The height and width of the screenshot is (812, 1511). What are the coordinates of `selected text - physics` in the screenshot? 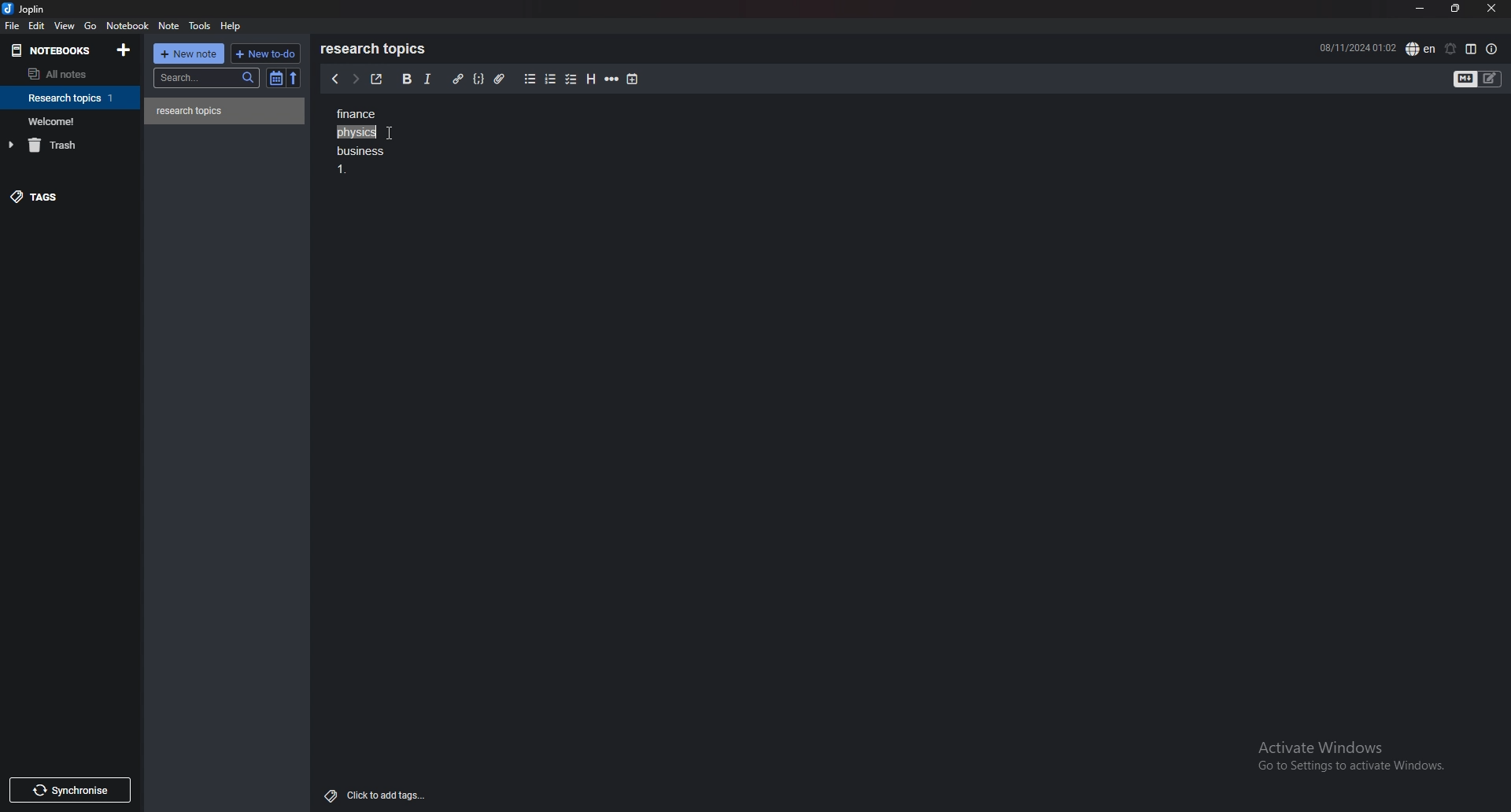 It's located at (367, 132).